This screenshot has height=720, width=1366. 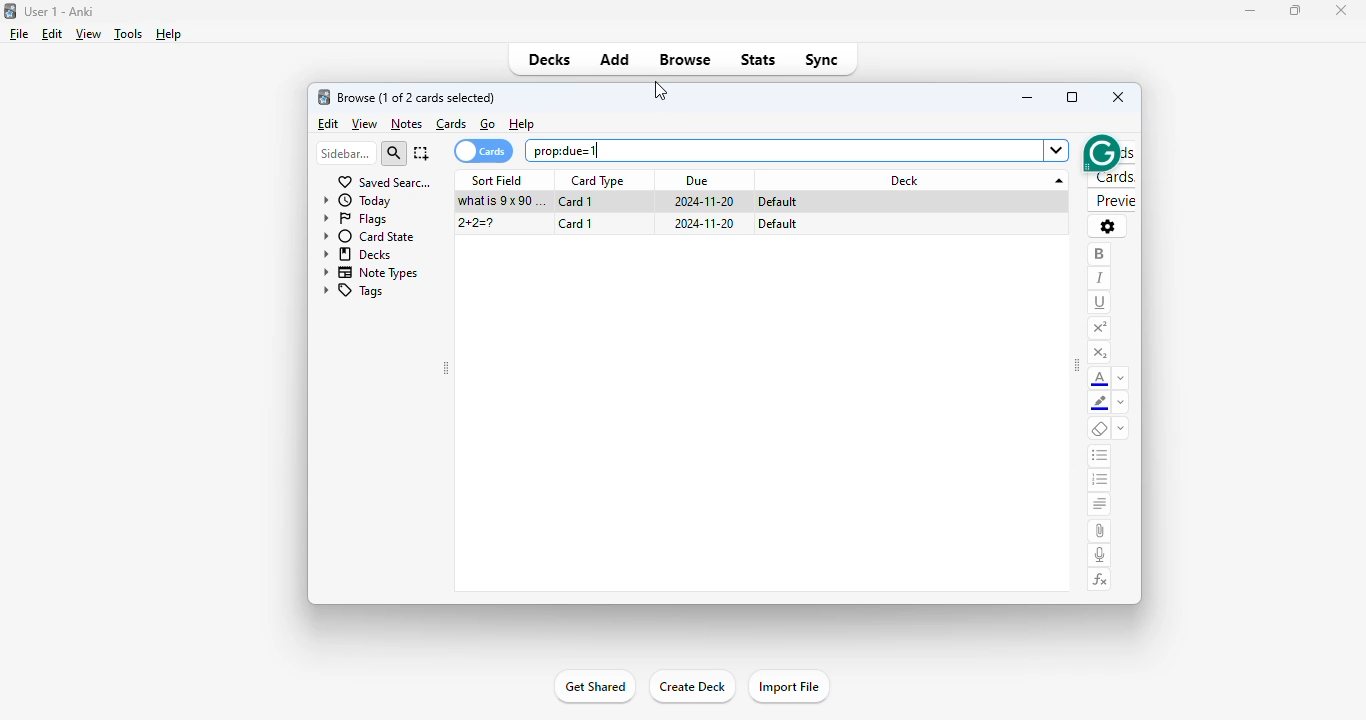 What do you see at coordinates (452, 124) in the screenshot?
I see `cards` at bounding box center [452, 124].